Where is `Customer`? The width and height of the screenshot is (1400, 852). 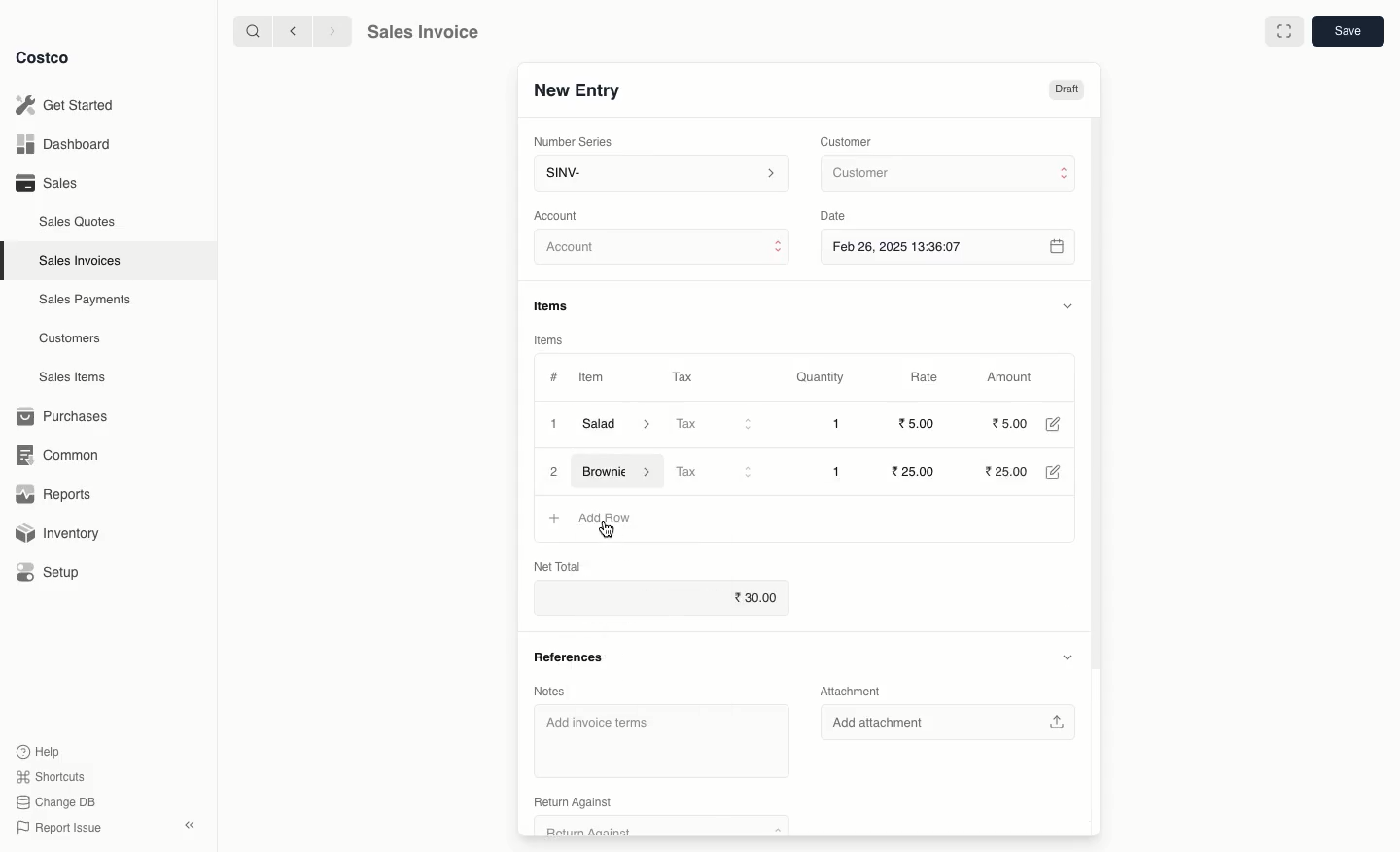 Customer is located at coordinates (849, 140).